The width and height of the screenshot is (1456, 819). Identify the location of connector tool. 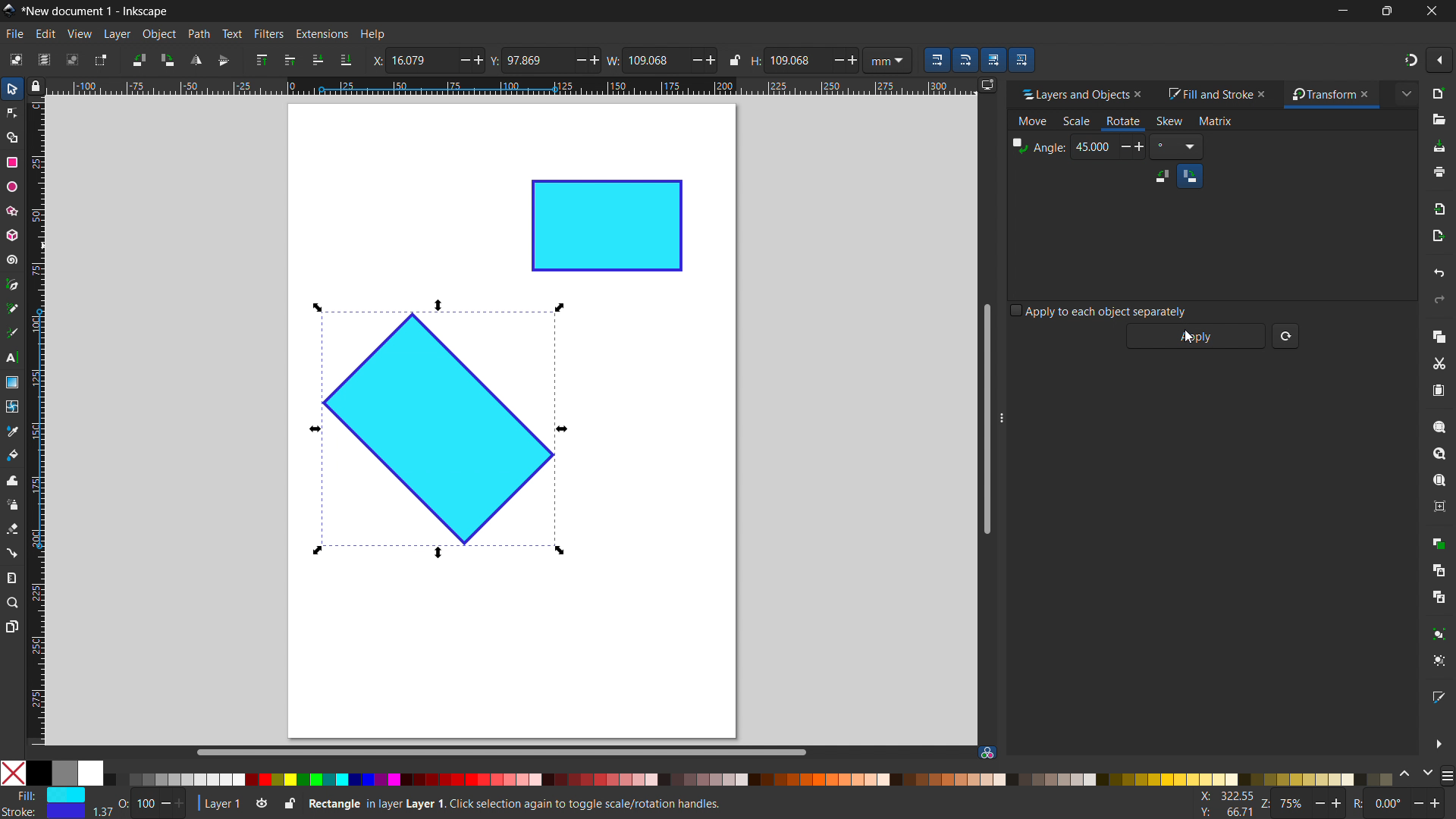
(11, 552).